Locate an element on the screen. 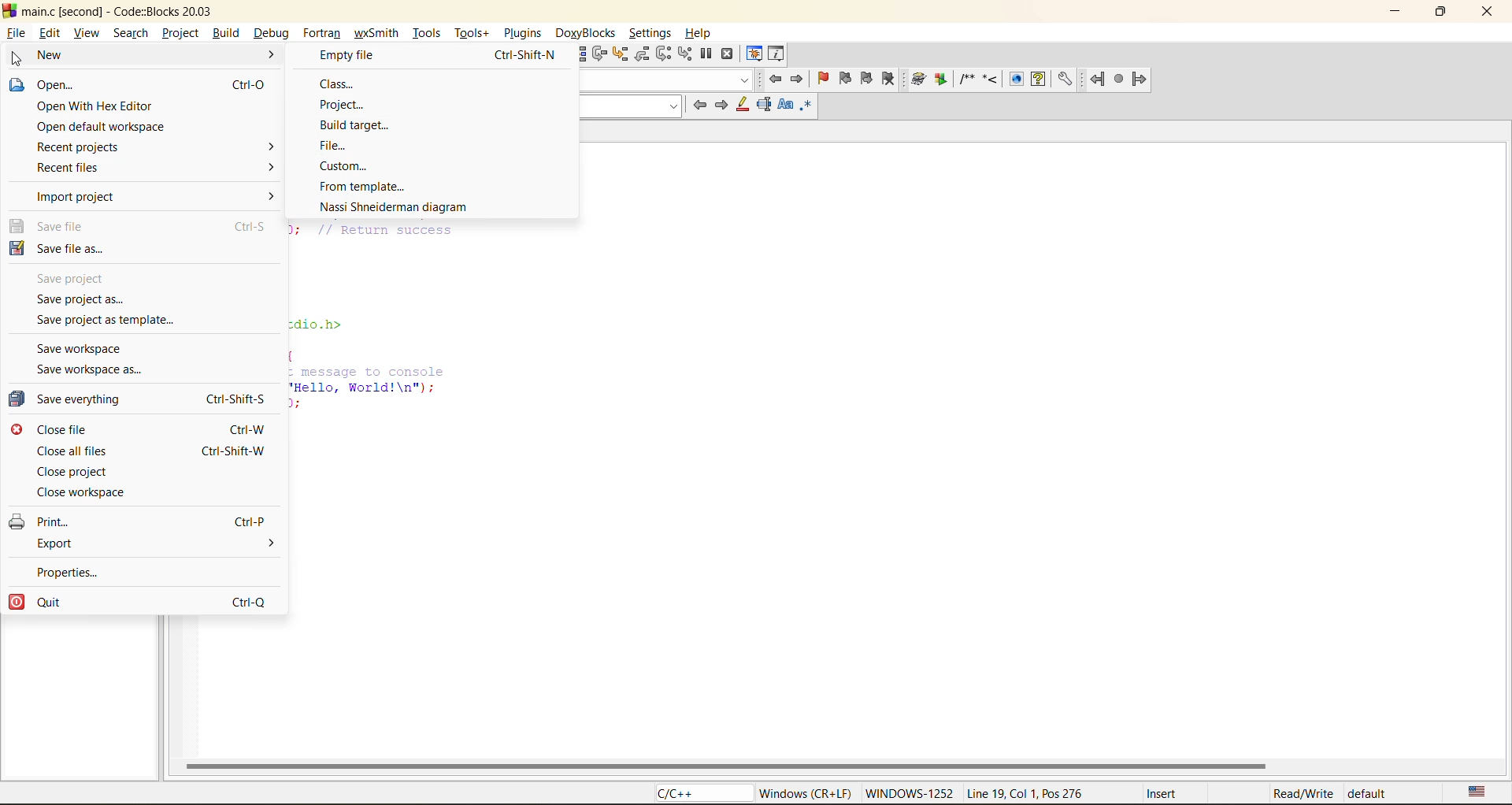 Image resolution: width=1512 pixels, height=805 pixels. > is located at coordinates (269, 544).